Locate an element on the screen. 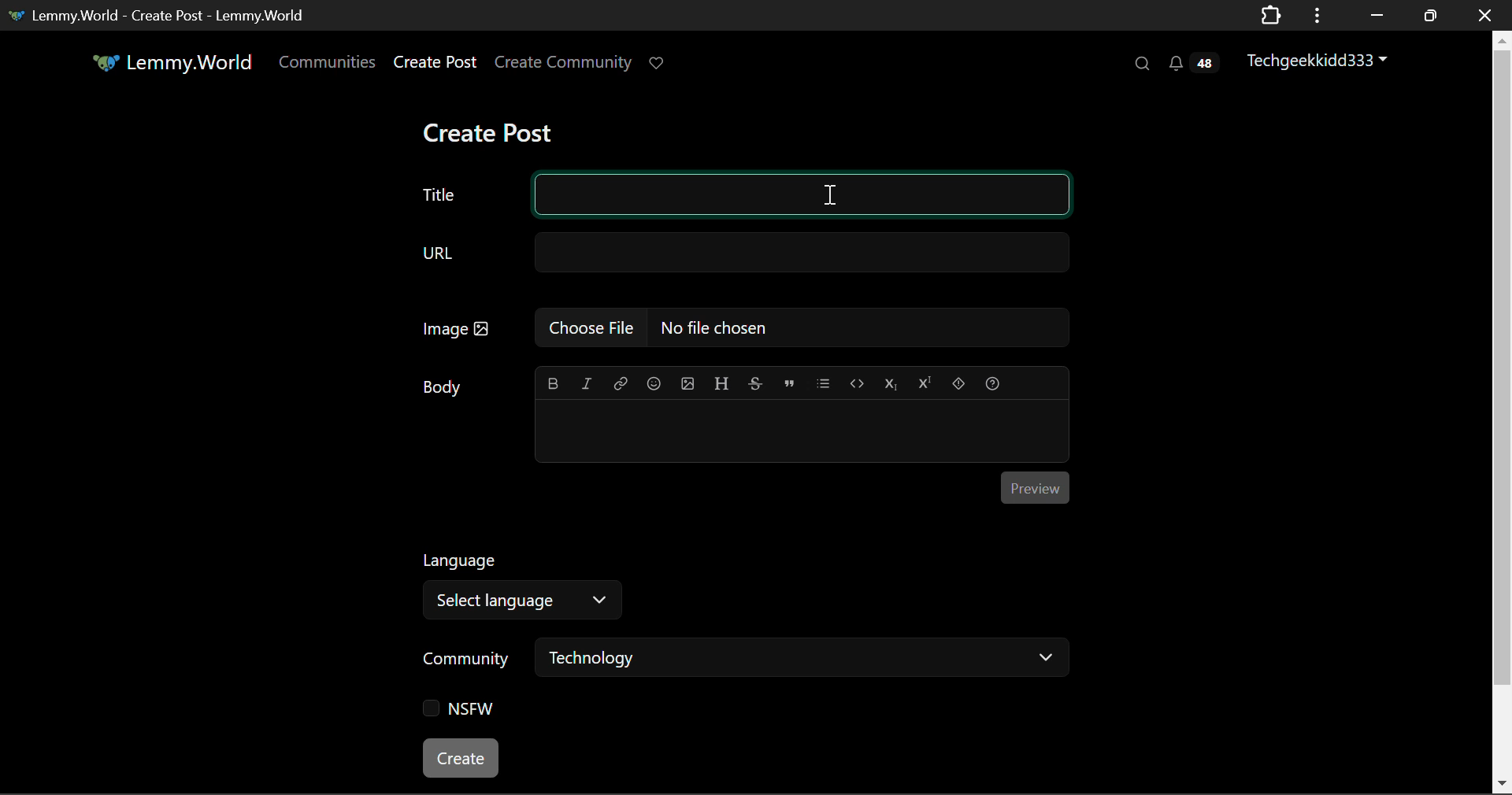 The width and height of the screenshot is (1512, 795). spoiler is located at coordinates (959, 381).